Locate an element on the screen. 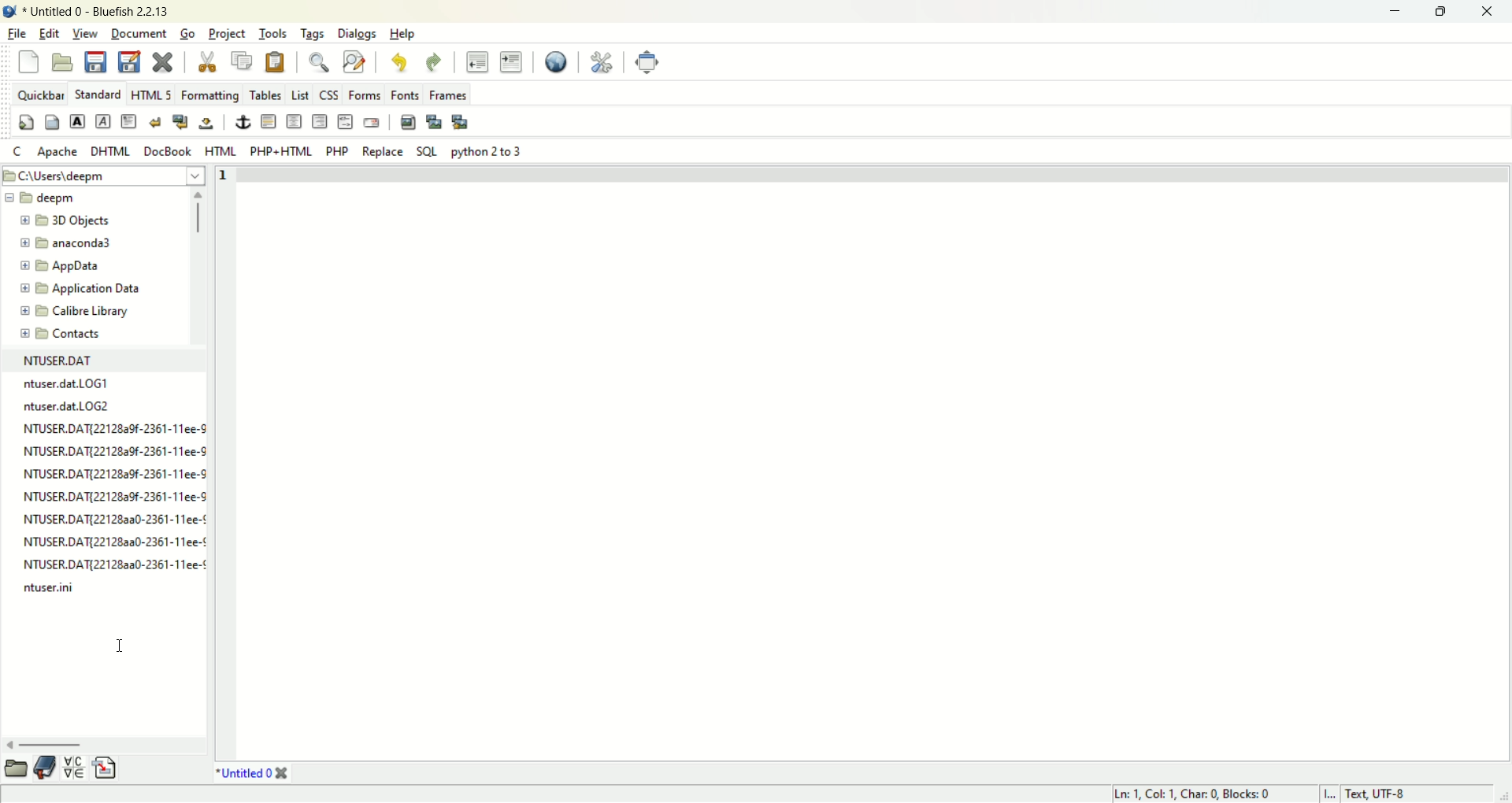 The width and height of the screenshot is (1512, 803). Frames is located at coordinates (447, 95).